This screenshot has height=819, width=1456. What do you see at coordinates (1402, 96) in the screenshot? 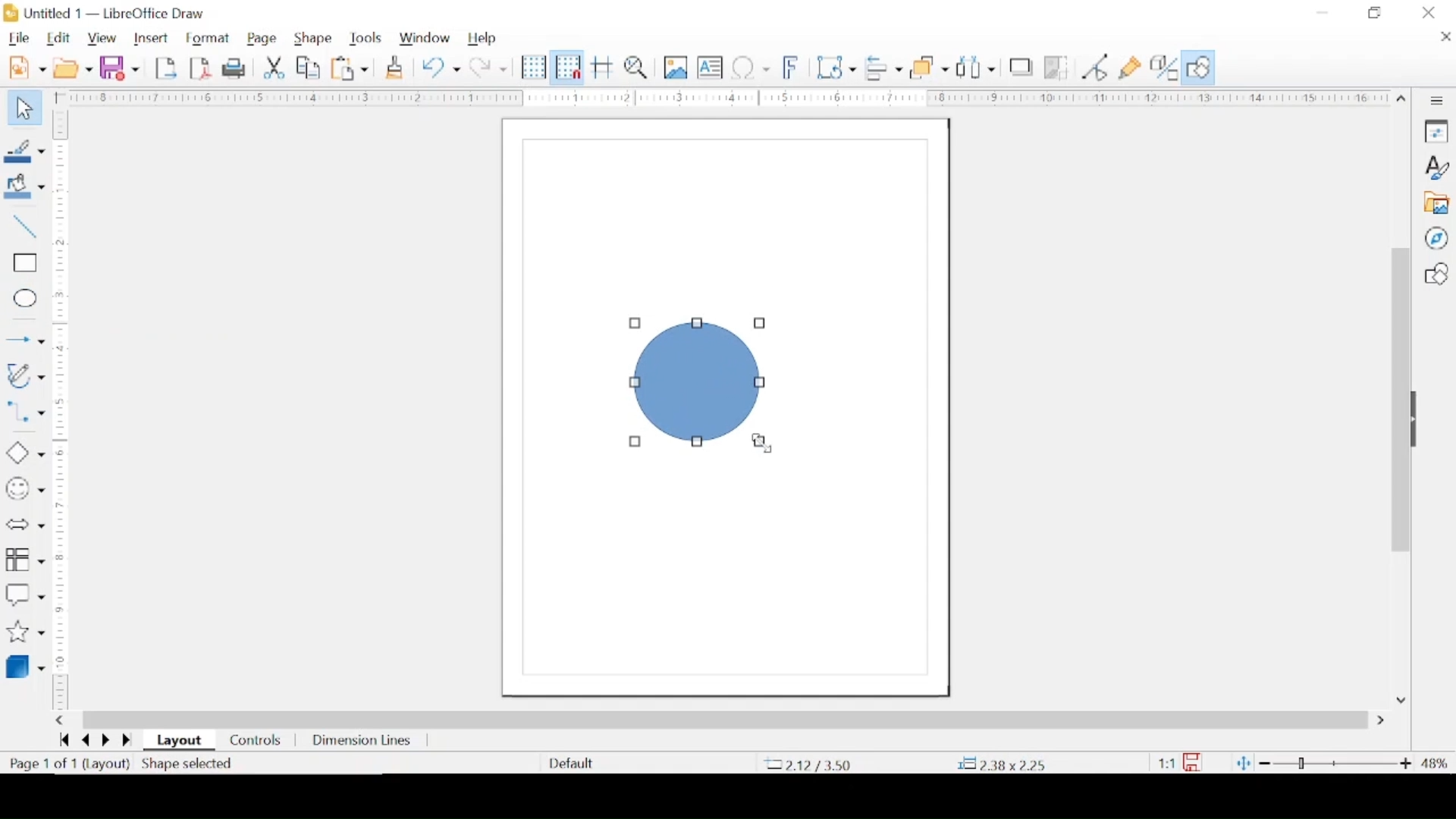
I see `scroll up arrow` at bounding box center [1402, 96].